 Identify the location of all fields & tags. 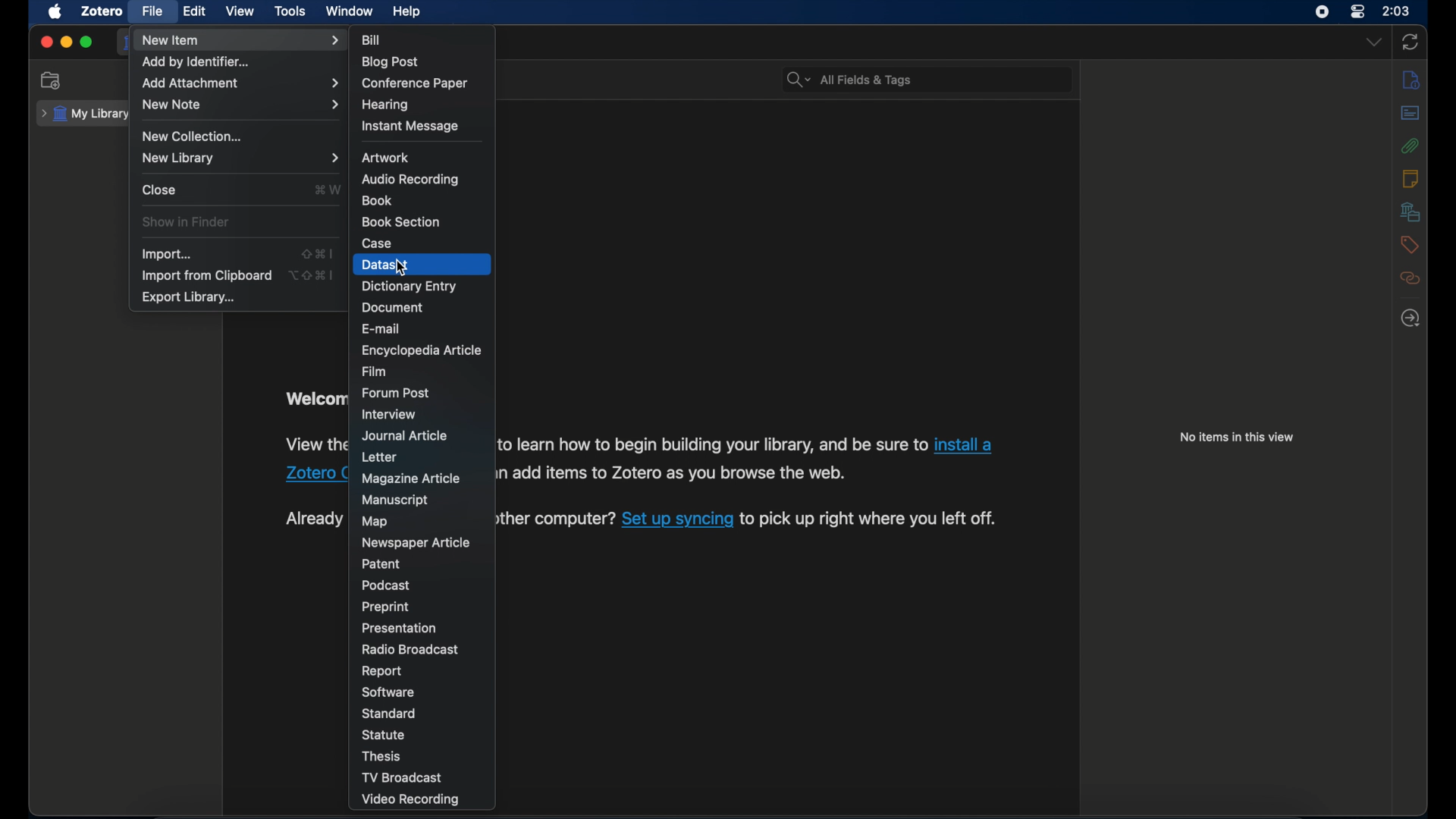
(848, 80).